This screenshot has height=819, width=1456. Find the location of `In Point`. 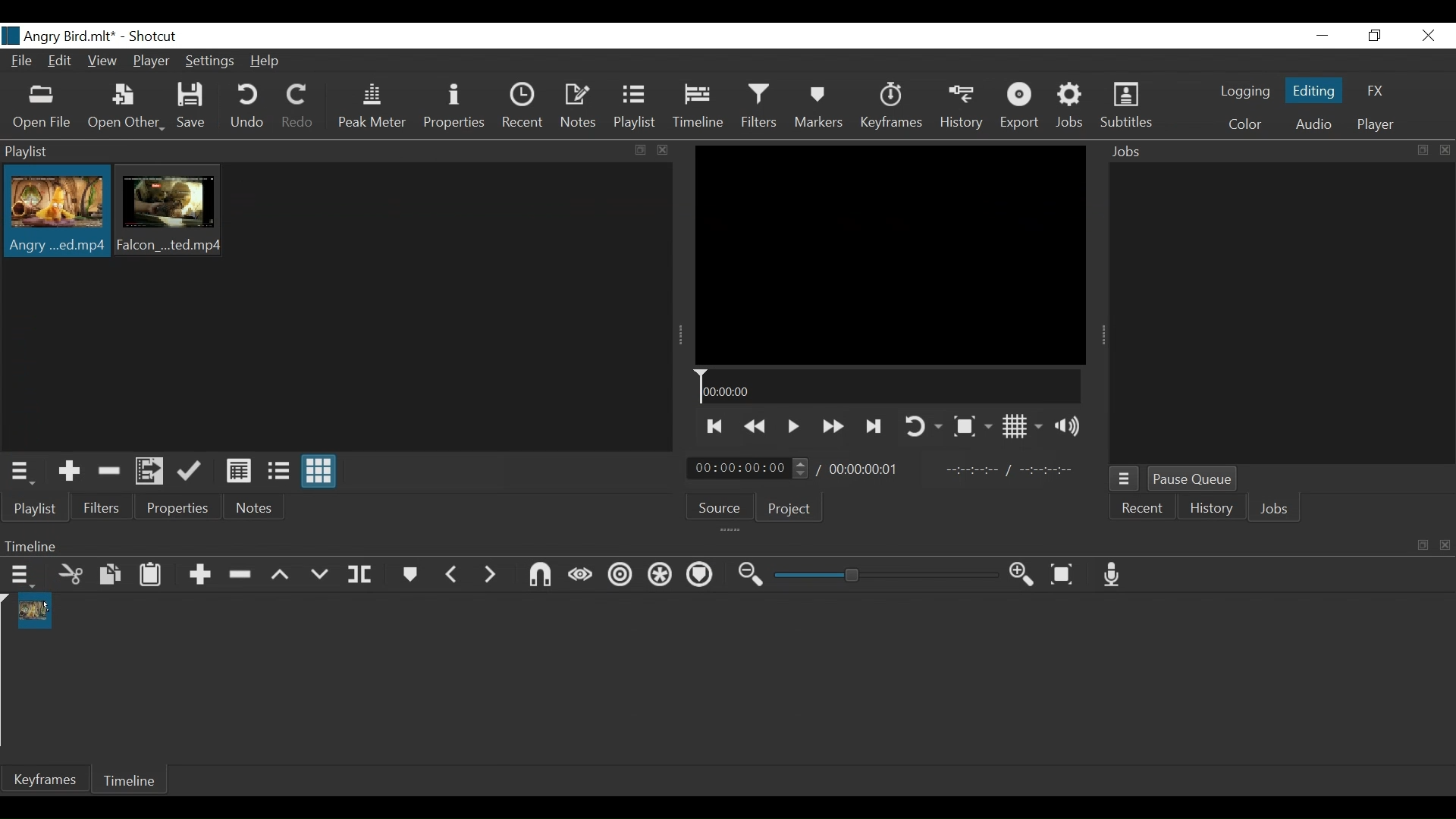

In Point is located at coordinates (1012, 471).